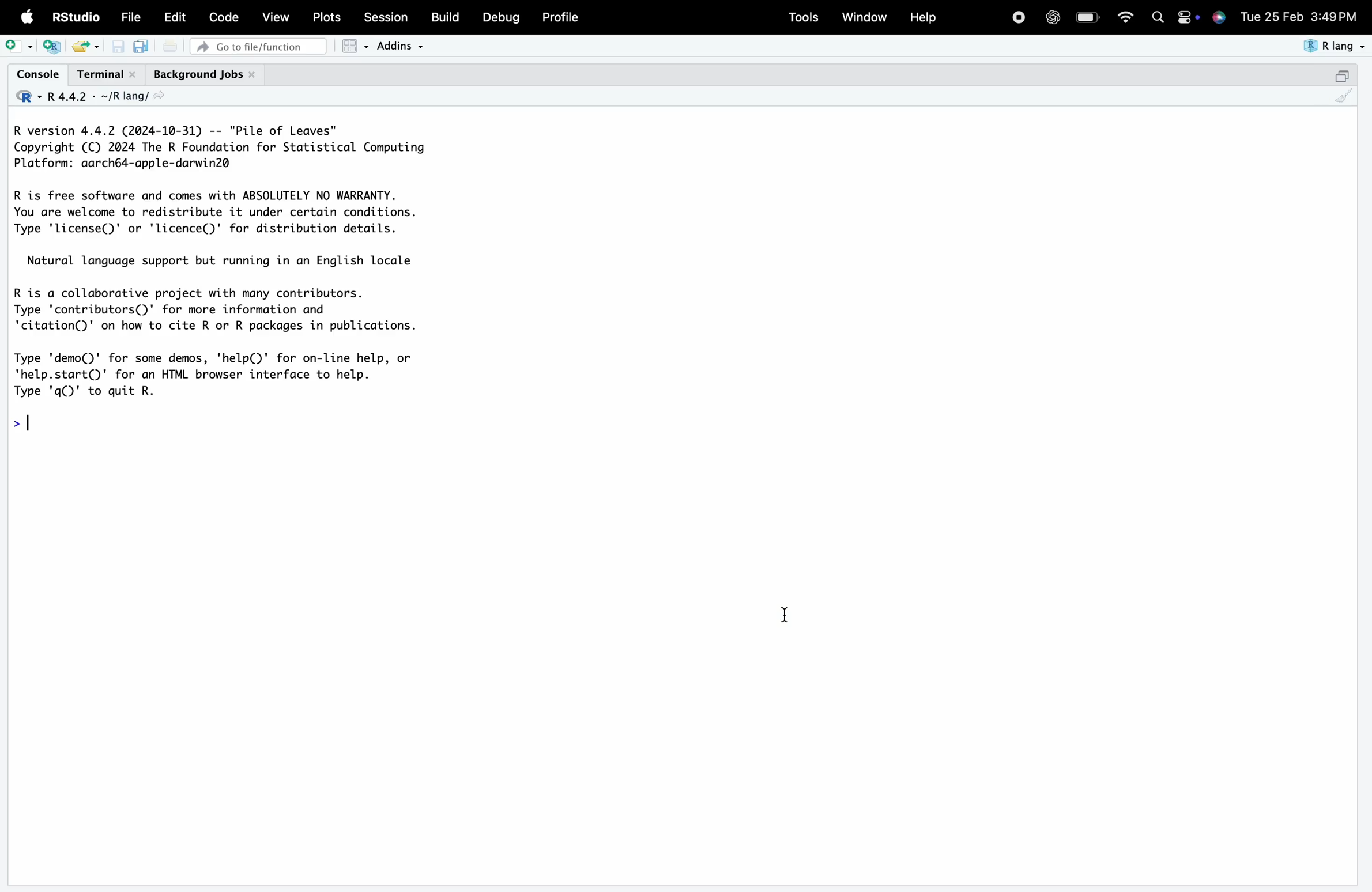  What do you see at coordinates (19, 46) in the screenshot?
I see `new file` at bounding box center [19, 46].